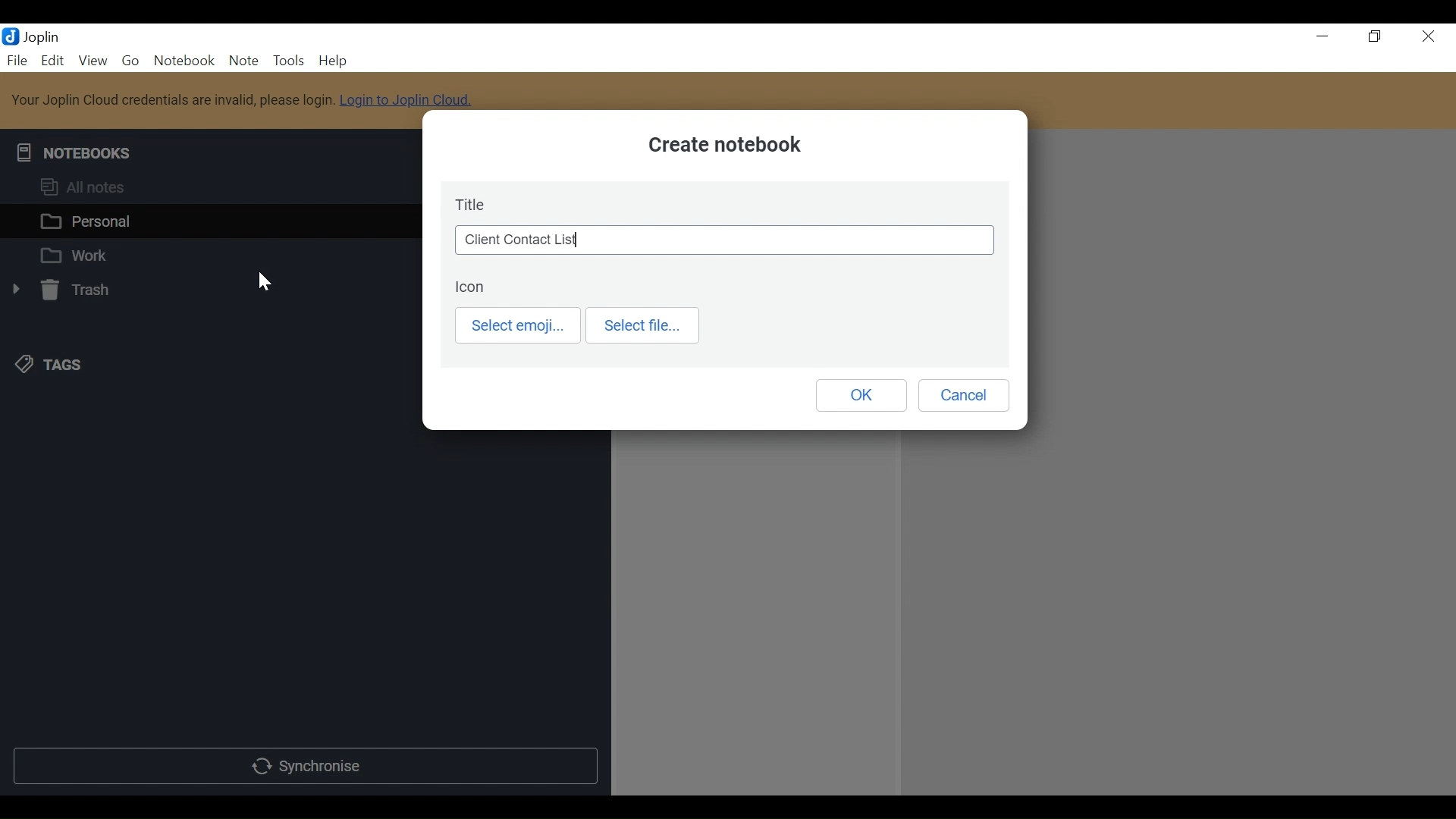  Describe the element at coordinates (331, 61) in the screenshot. I see `Help` at that location.